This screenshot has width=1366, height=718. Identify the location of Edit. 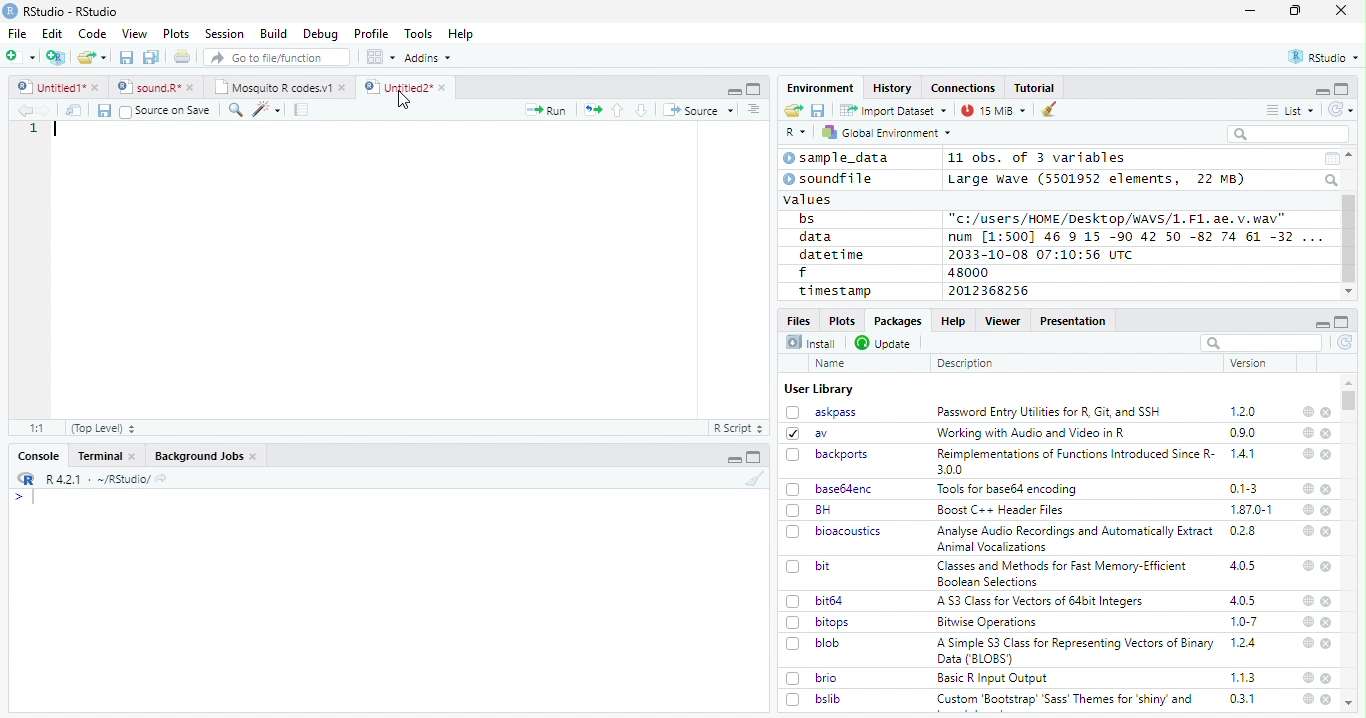
(52, 33).